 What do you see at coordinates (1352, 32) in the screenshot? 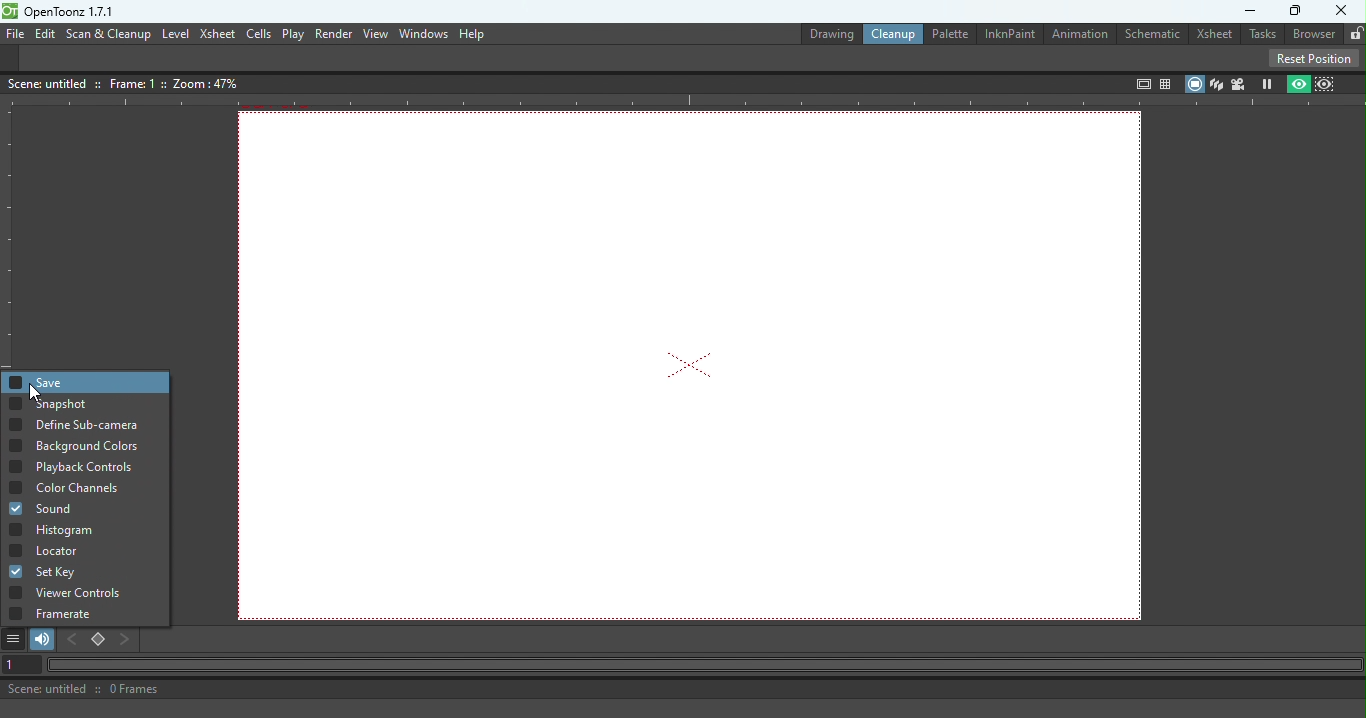
I see `Lock rooms tab` at bounding box center [1352, 32].